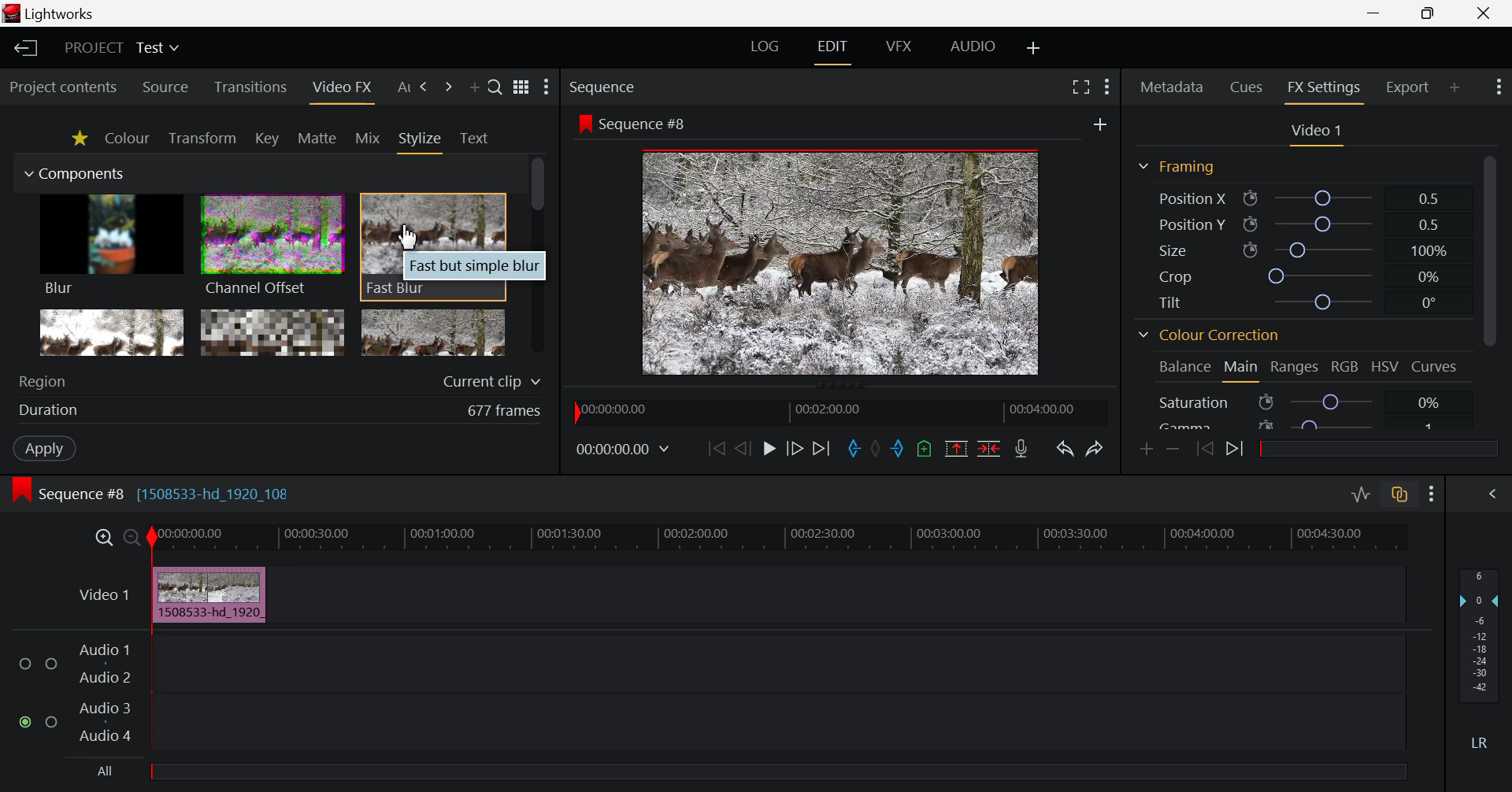 Image resolution: width=1512 pixels, height=792 pixels. I want to click on Cursor MOUSE_DOWN on Fast Blur, so click(433, 217).